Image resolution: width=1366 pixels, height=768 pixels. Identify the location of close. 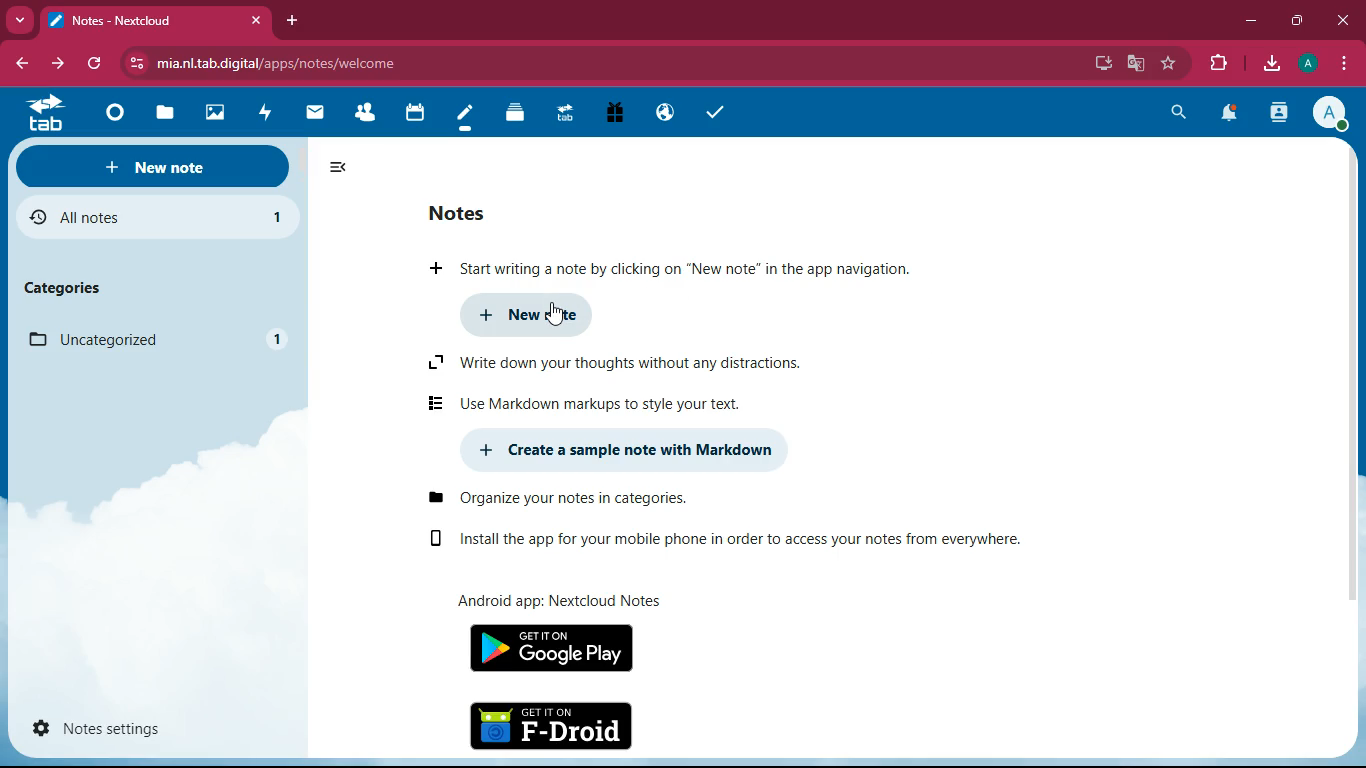
(257, 22).